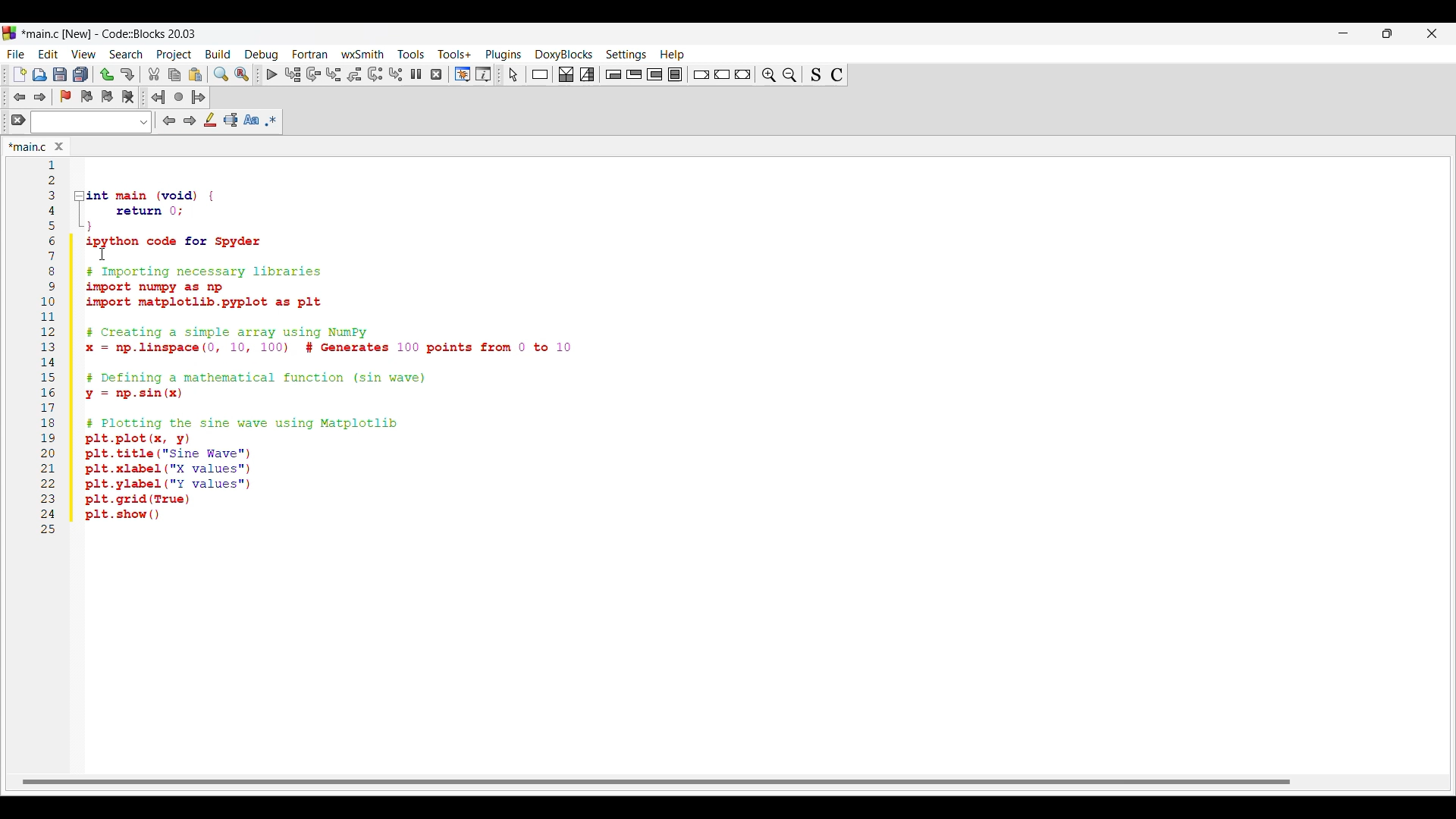 The height and width of the screenshot is (819, 1456). I want to click on Debug menu, so click(262, 55).